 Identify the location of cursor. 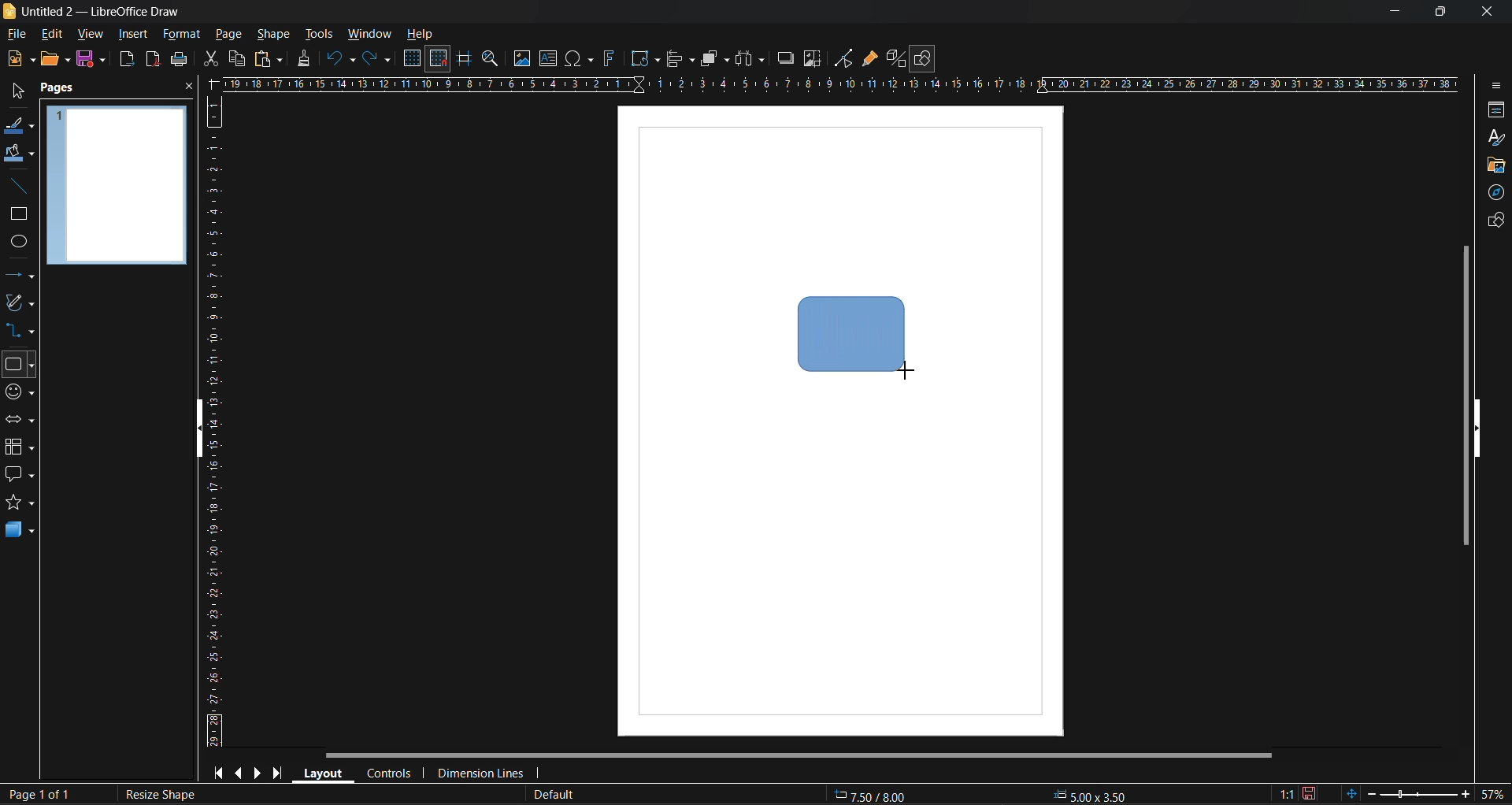
(906, 369).